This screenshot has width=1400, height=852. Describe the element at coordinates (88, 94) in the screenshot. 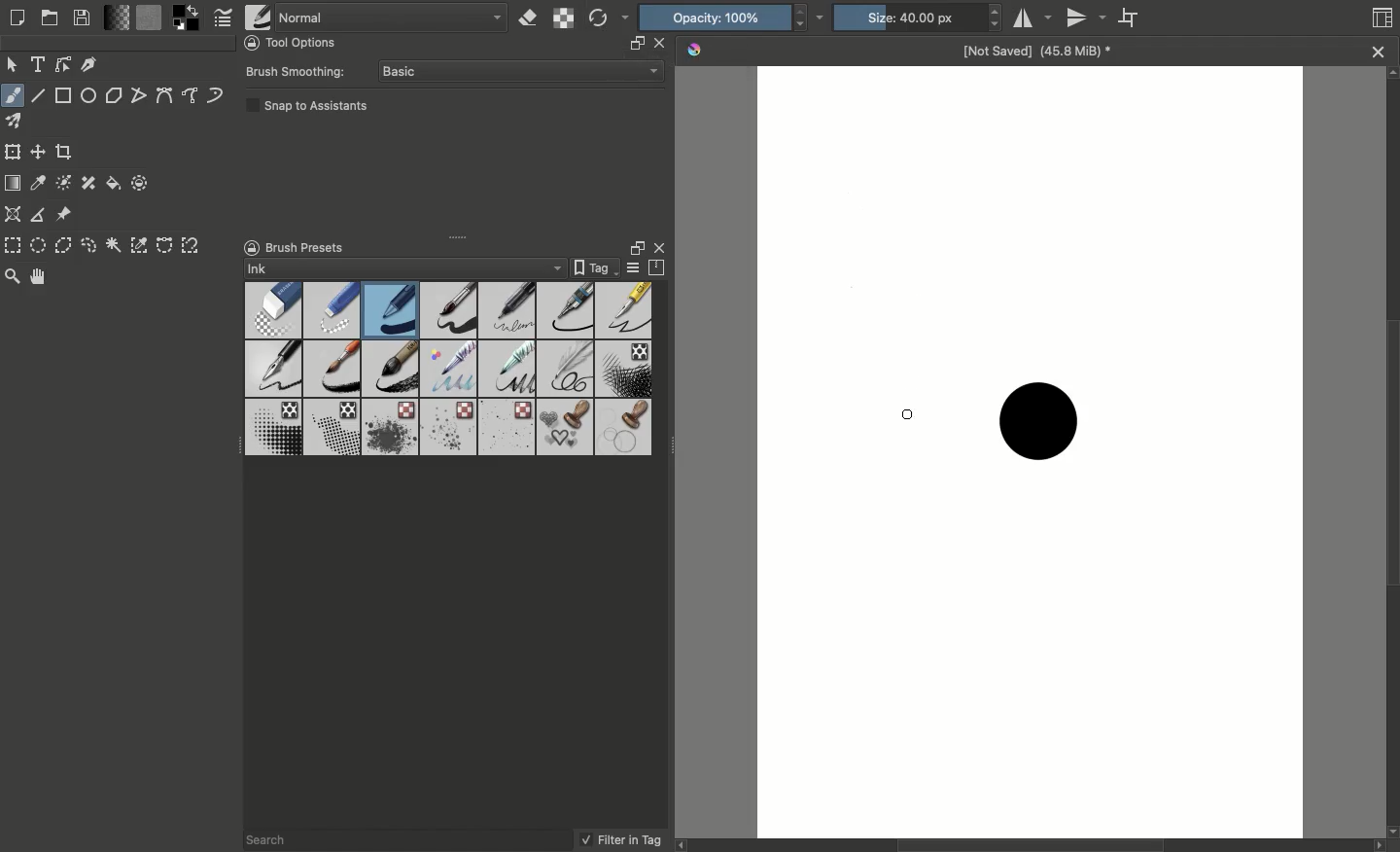

I see `Ellipse` at that location.